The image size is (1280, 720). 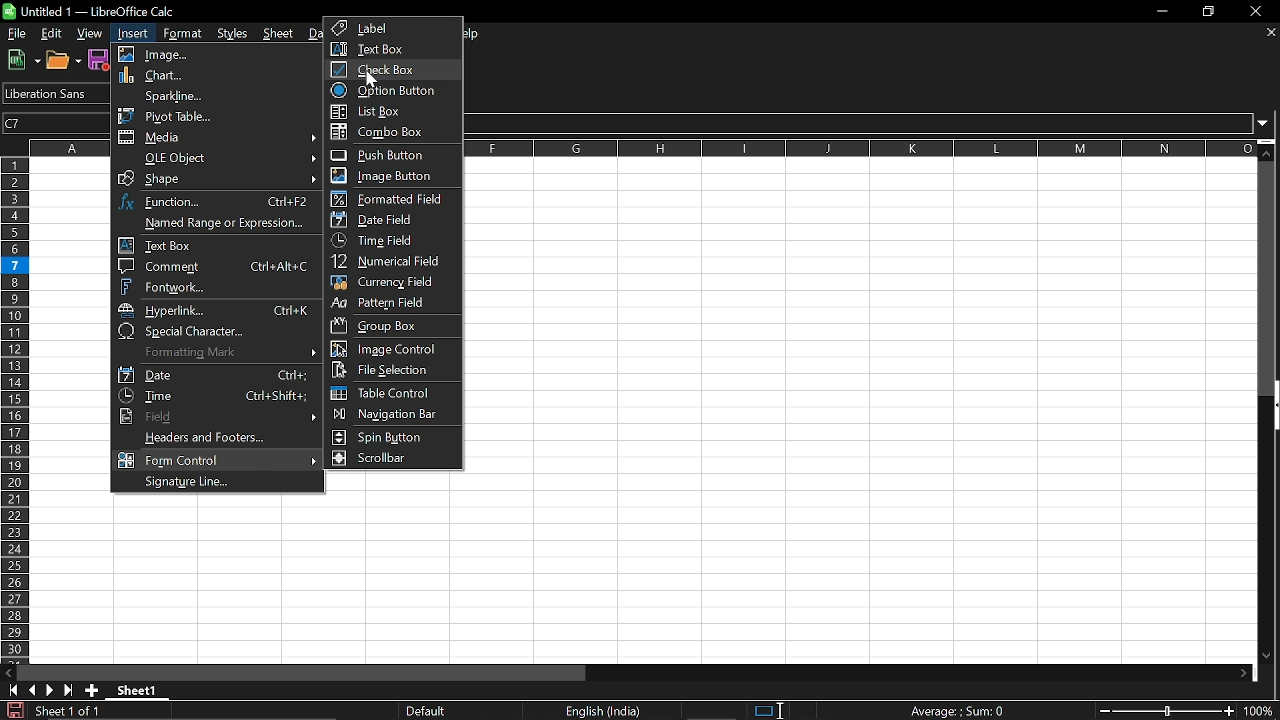 What do you see at coordinates (53, 34) in the screenshot?
I see `Edit` at bounding box center [53, 34].